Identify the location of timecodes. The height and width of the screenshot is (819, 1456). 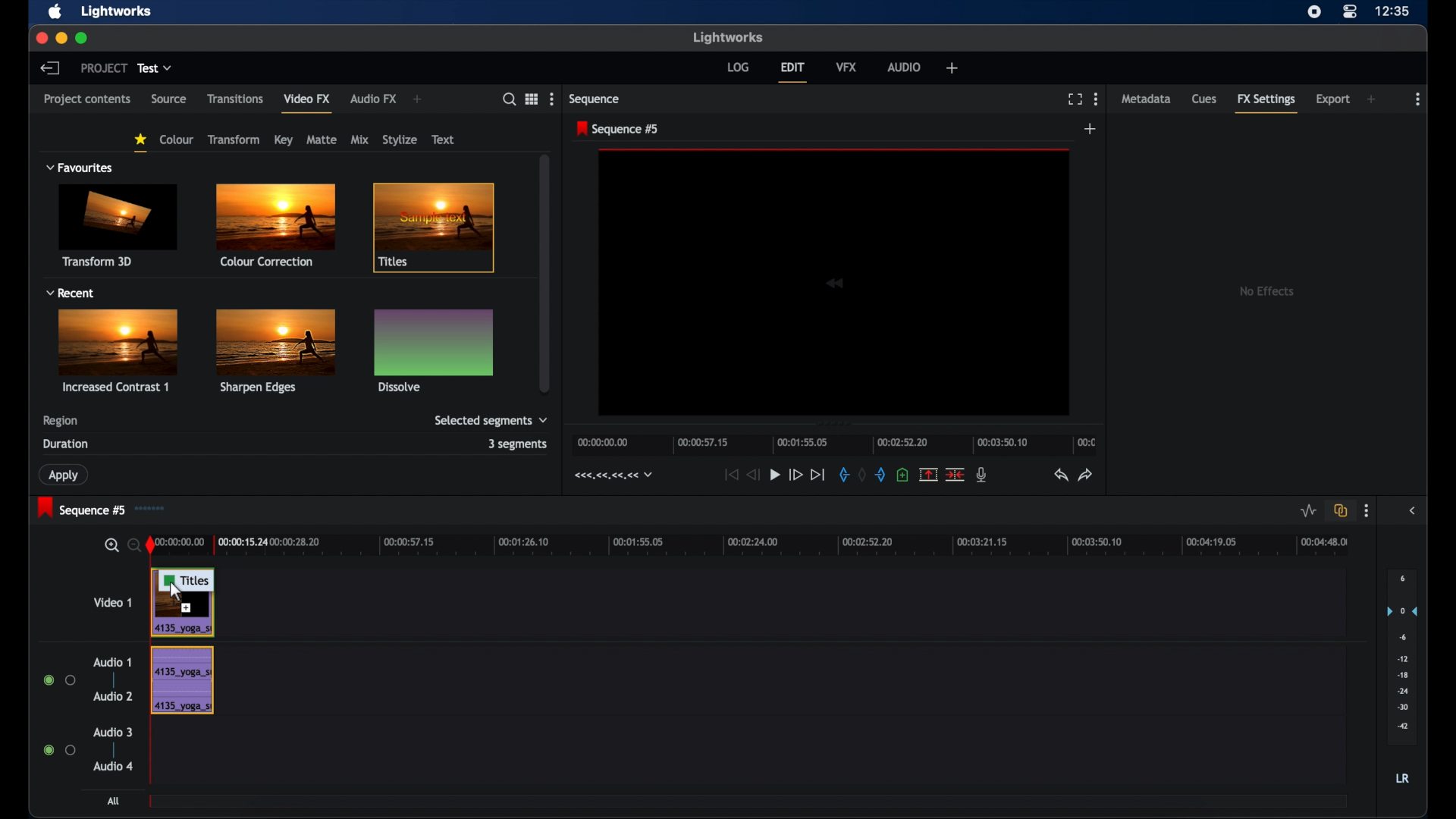
(611, 475).